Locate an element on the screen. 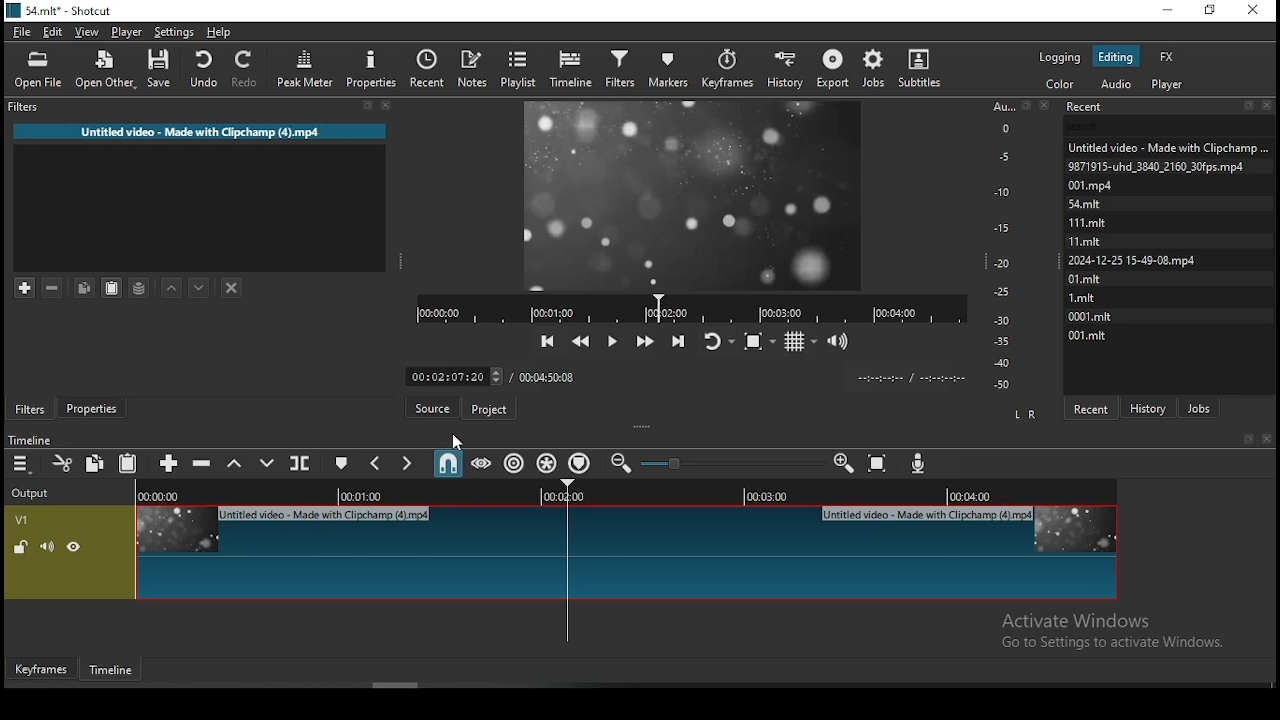  paste is located at coordinates (112, 288).